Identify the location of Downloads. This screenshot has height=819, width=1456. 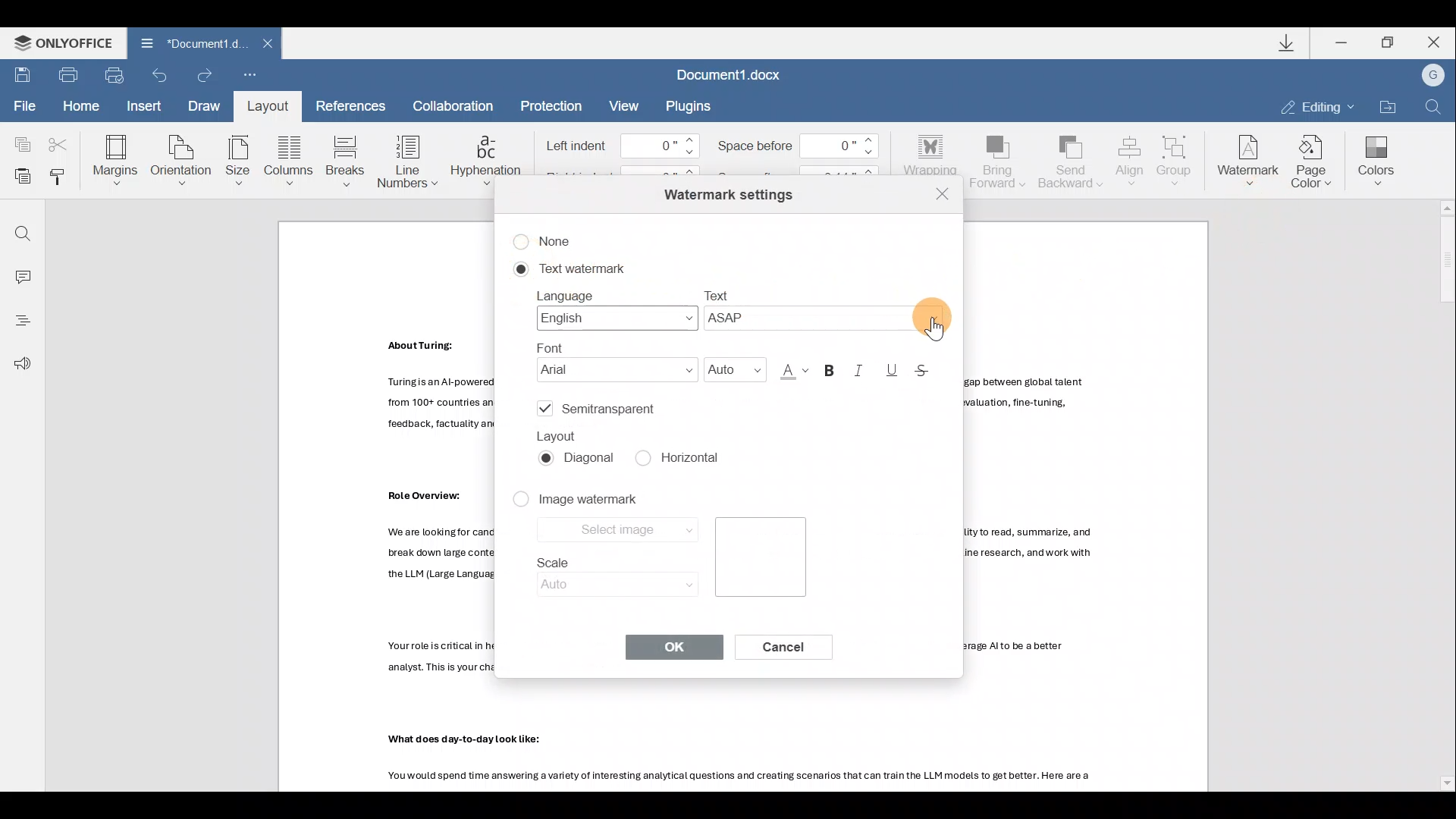
(1292, 45).